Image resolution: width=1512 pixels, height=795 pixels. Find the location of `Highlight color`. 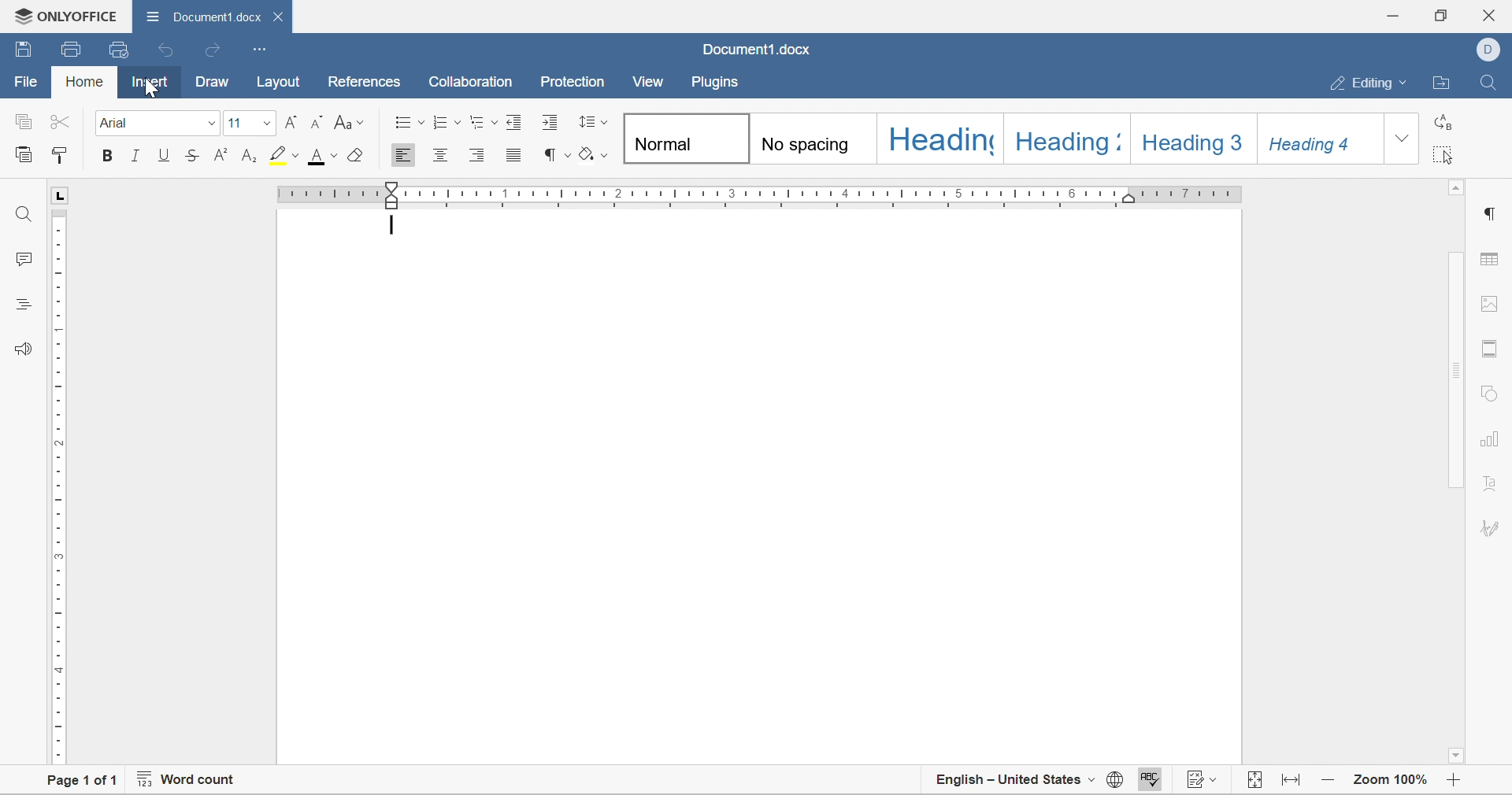

Highlight color is located at coordinates (285, 156).